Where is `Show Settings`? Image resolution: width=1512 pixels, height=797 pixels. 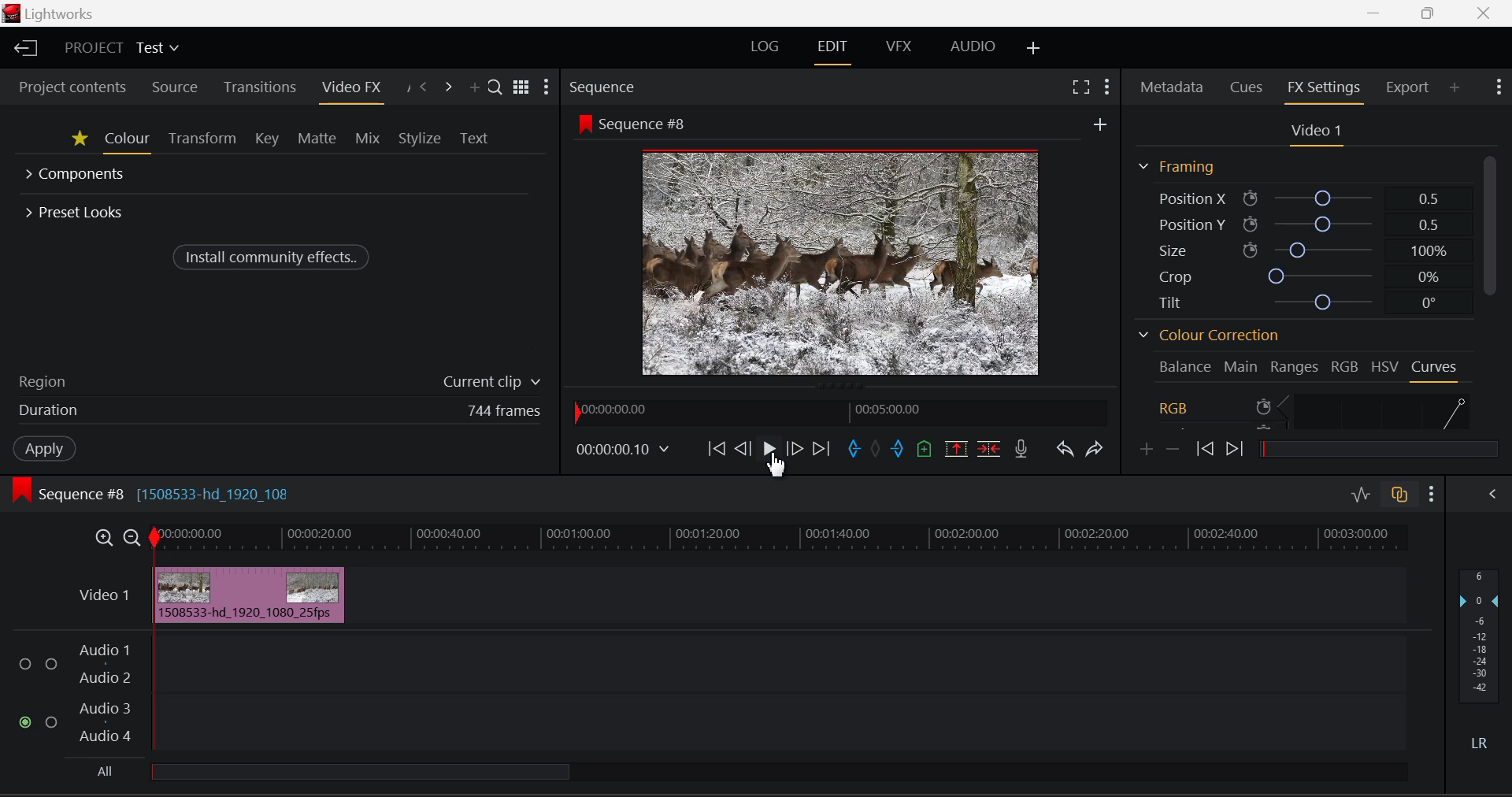 Show Settings is located at coordinates (548, 87).